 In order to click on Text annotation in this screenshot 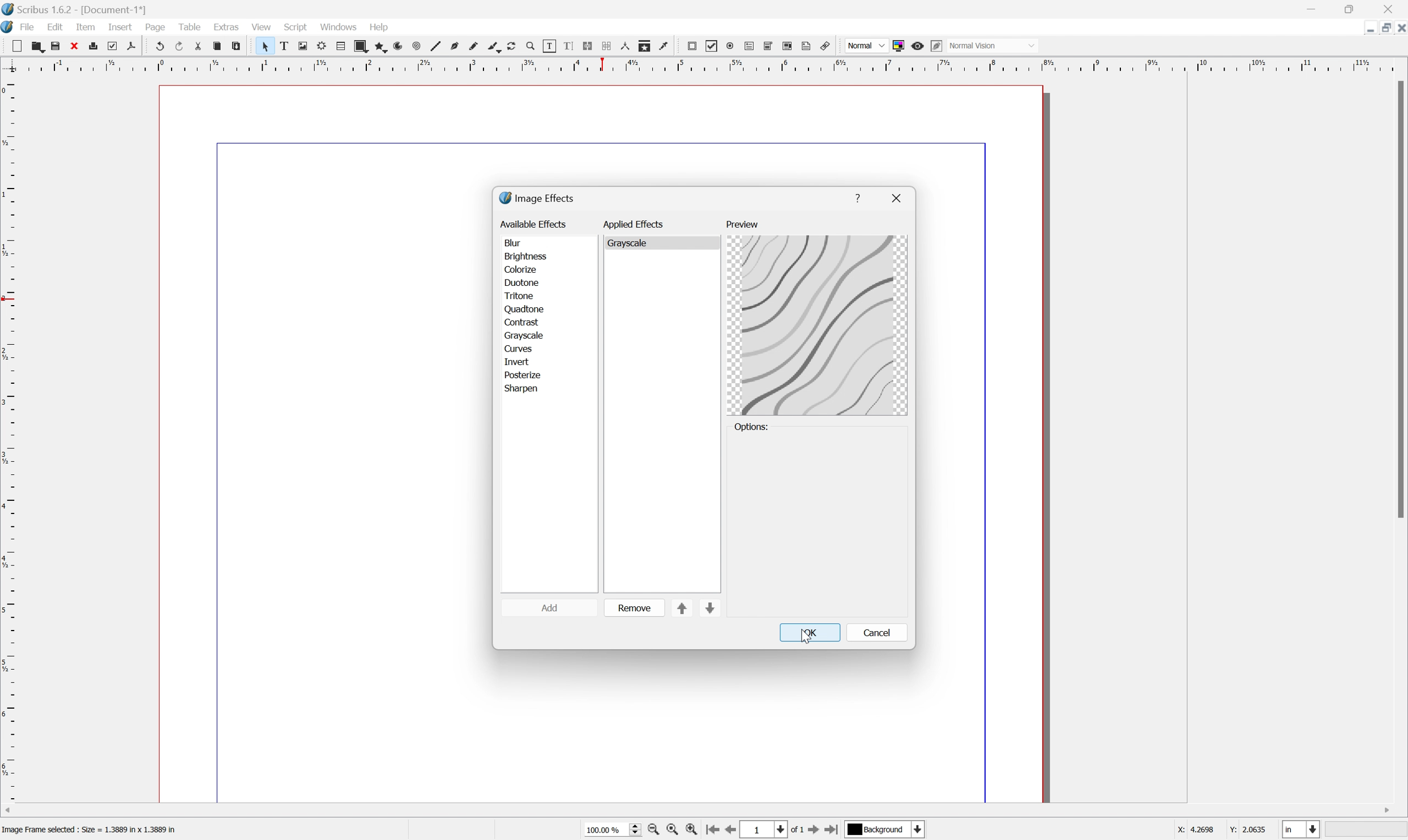, I will do `click(807, 46)`.